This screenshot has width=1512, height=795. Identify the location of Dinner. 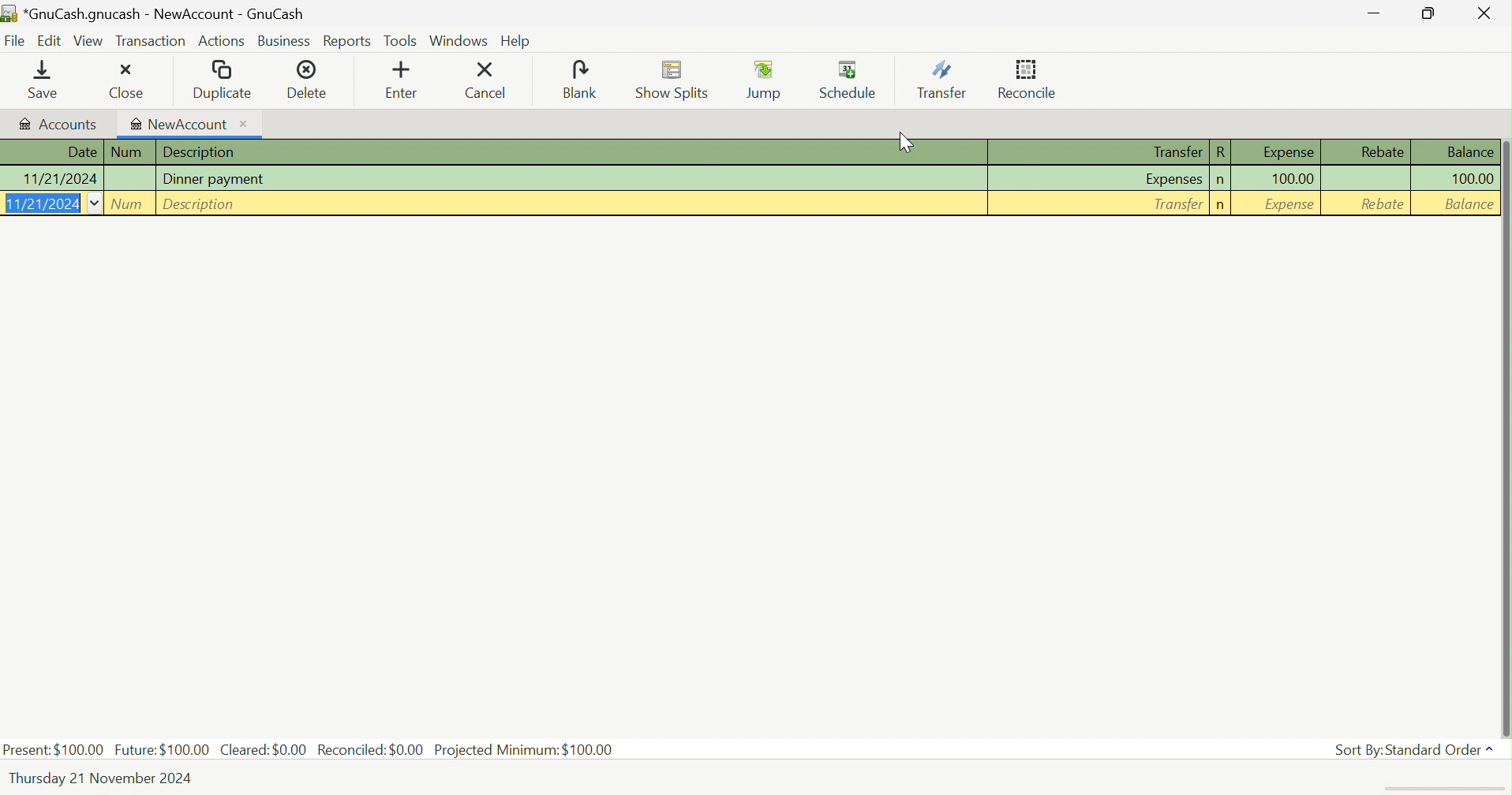
(219, 179).